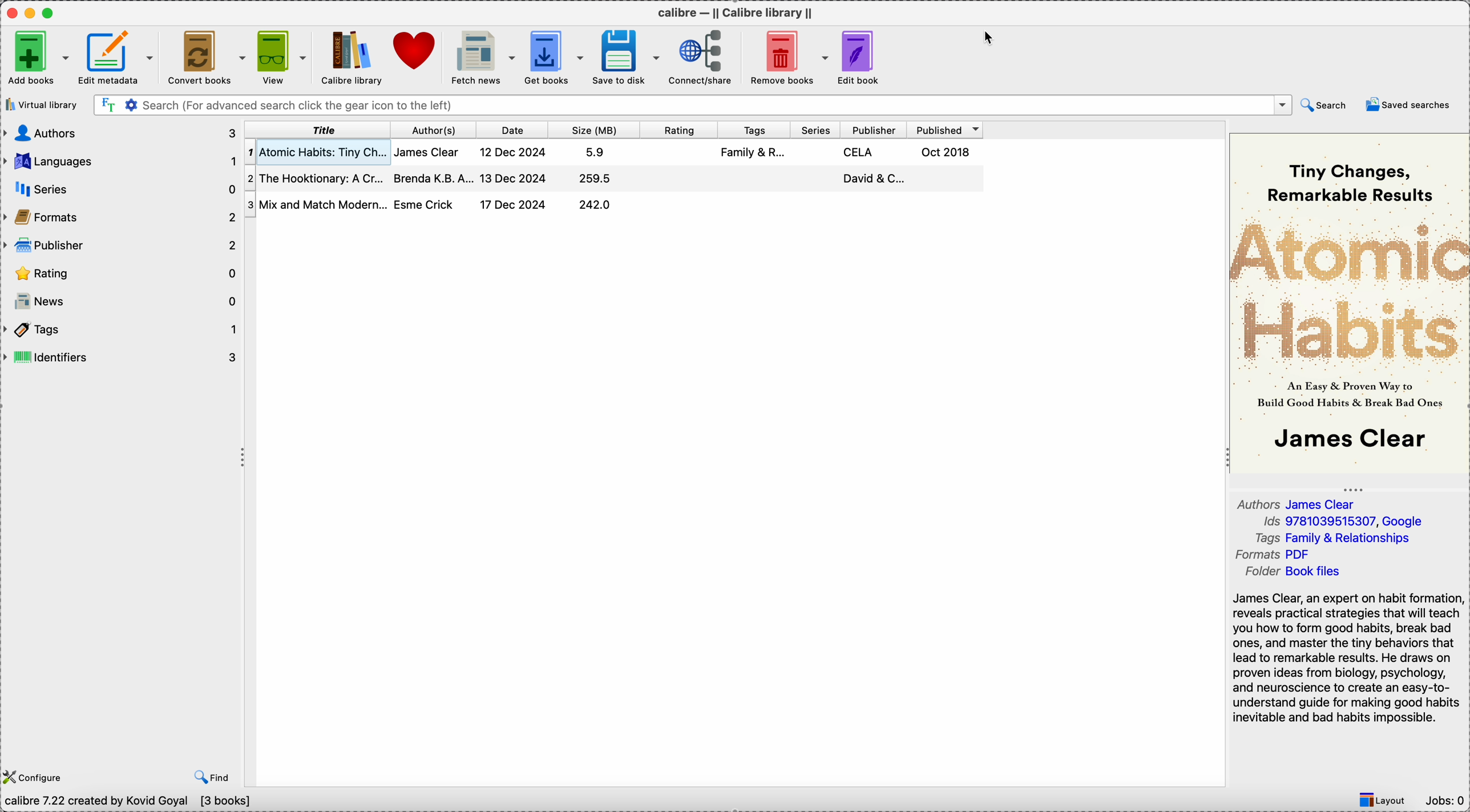 Image resolution: width=1470 pixels, height=812 pixels. Describe the element at coordinates (120, 216) in the screenshot. I see `formats` at that location.